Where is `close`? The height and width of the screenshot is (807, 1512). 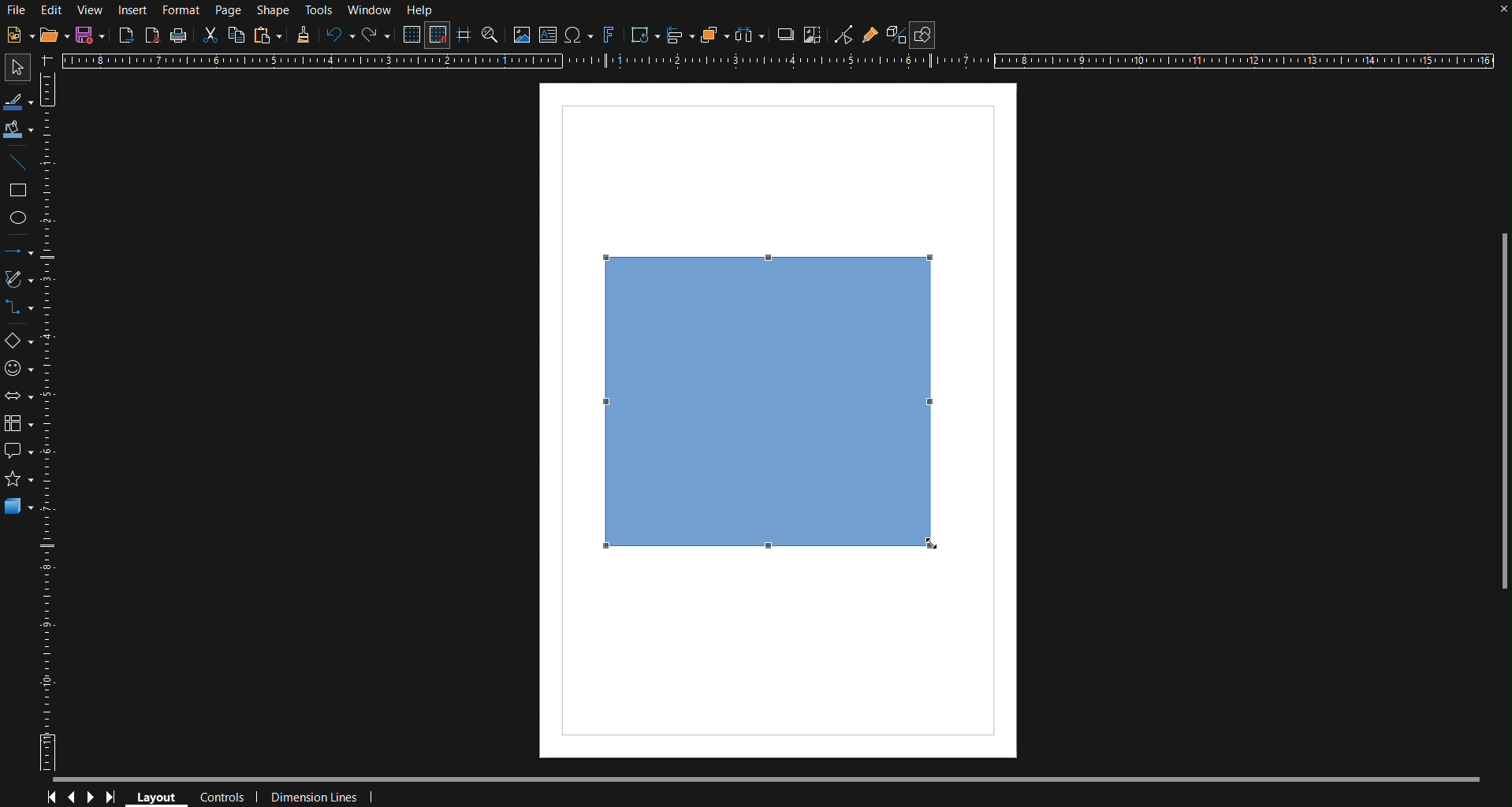 close is located at coordinates (1501, 13).